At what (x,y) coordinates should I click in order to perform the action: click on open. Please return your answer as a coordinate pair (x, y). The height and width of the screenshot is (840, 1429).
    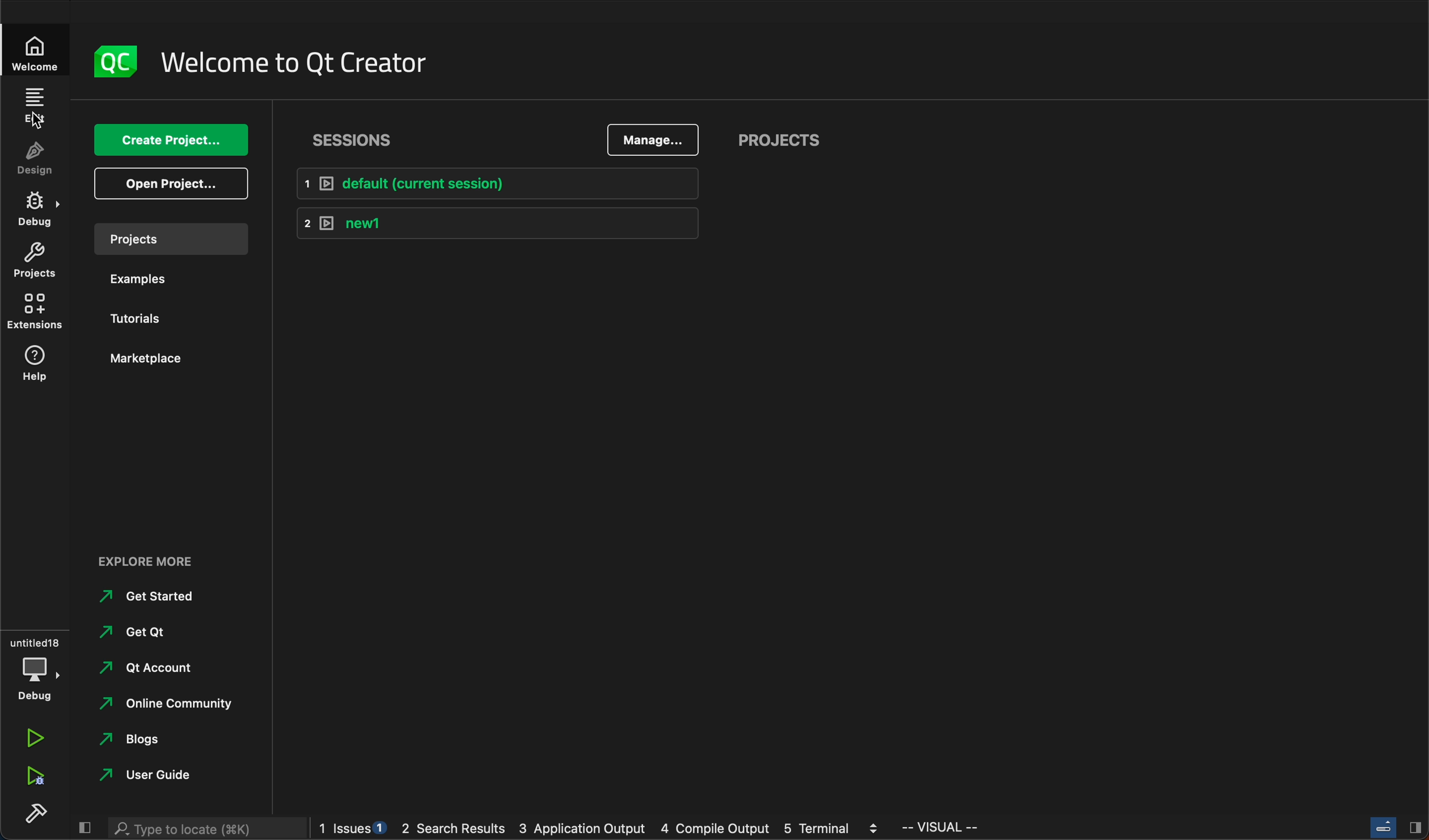
    Looking at the image, I should click on (168, 184).